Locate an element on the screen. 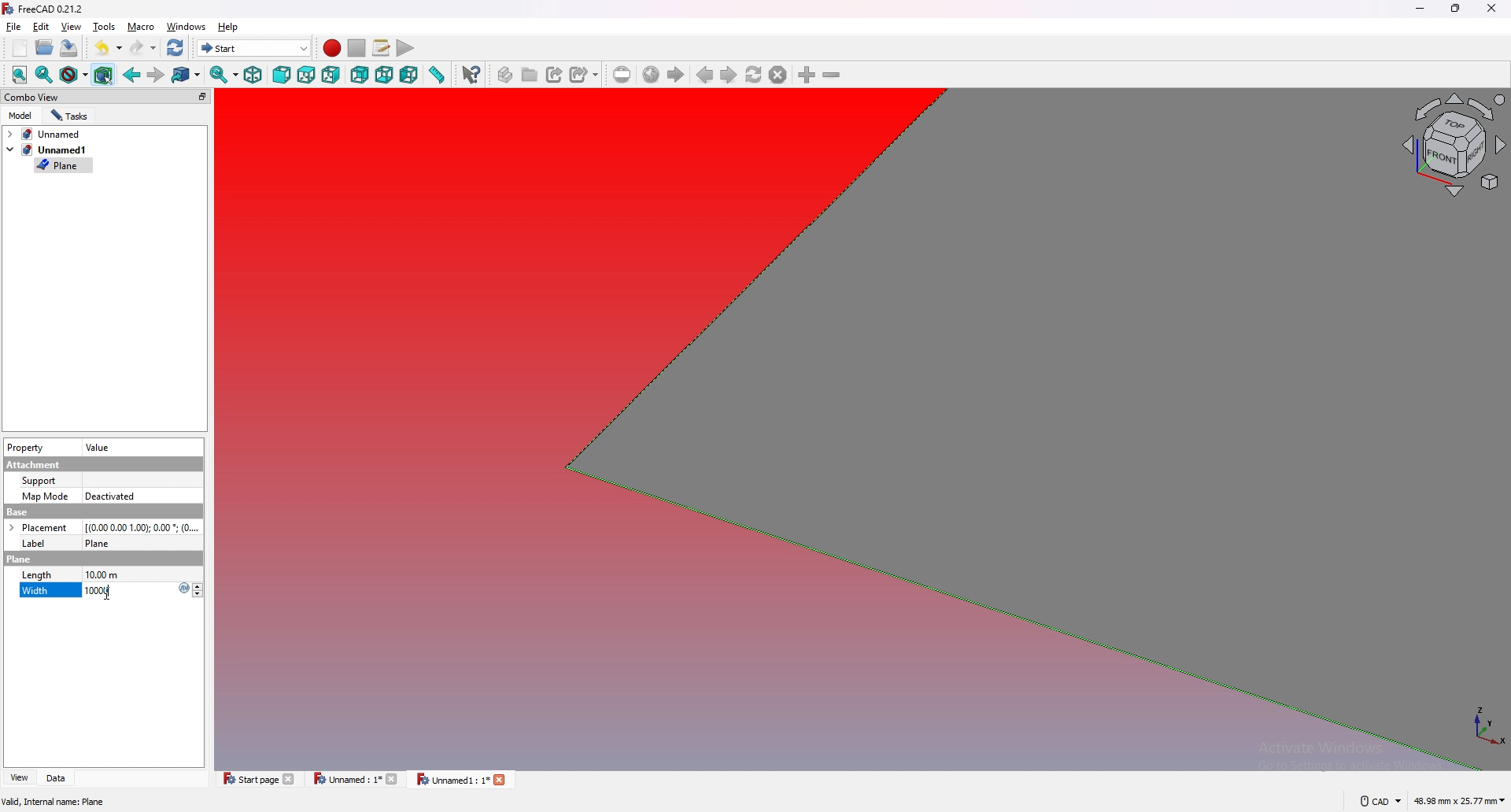 This screenshot has width=1511, height=812. file is located at coordinates (14, 27).